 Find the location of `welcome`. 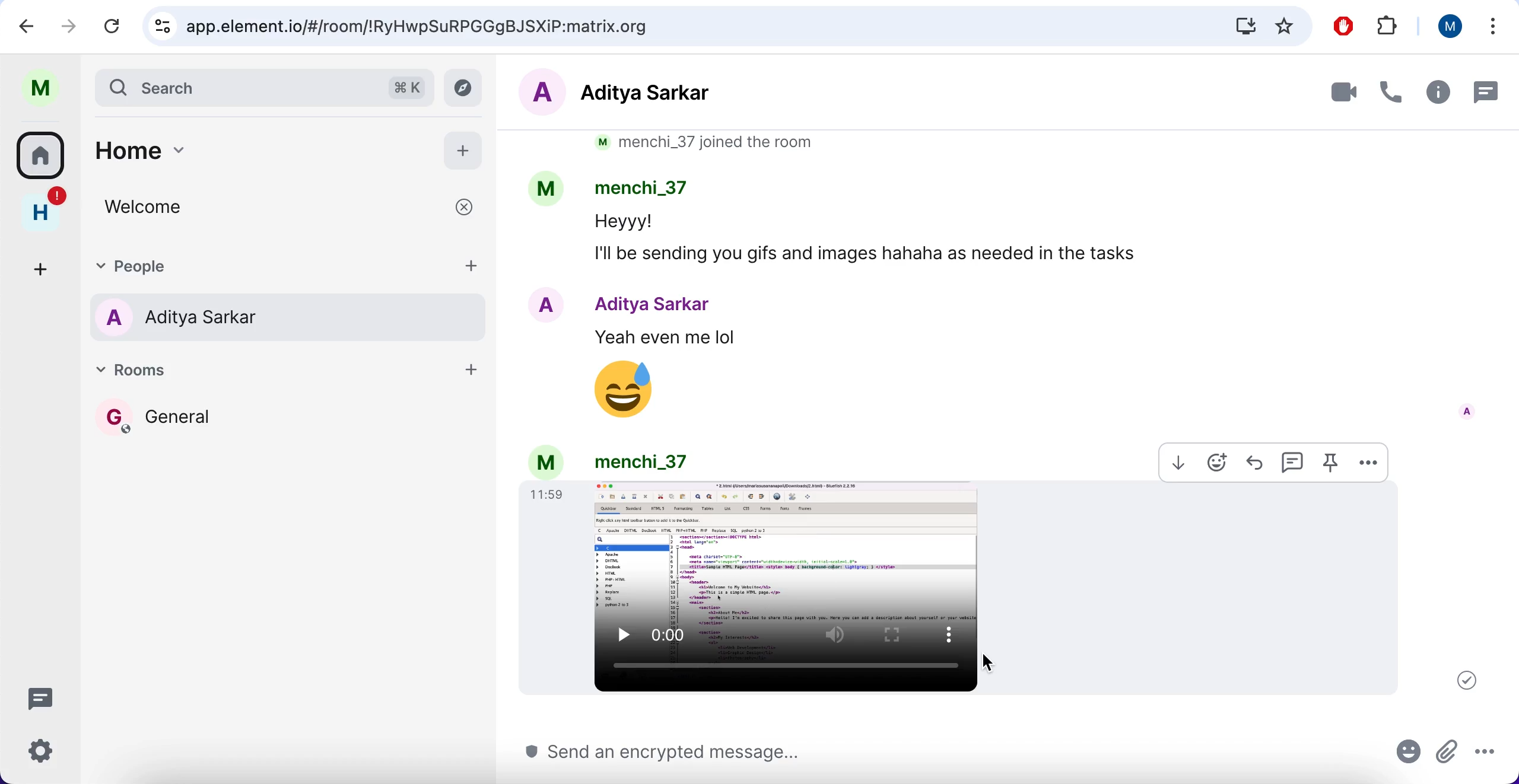

welcome is located at coordinates (212, 206).